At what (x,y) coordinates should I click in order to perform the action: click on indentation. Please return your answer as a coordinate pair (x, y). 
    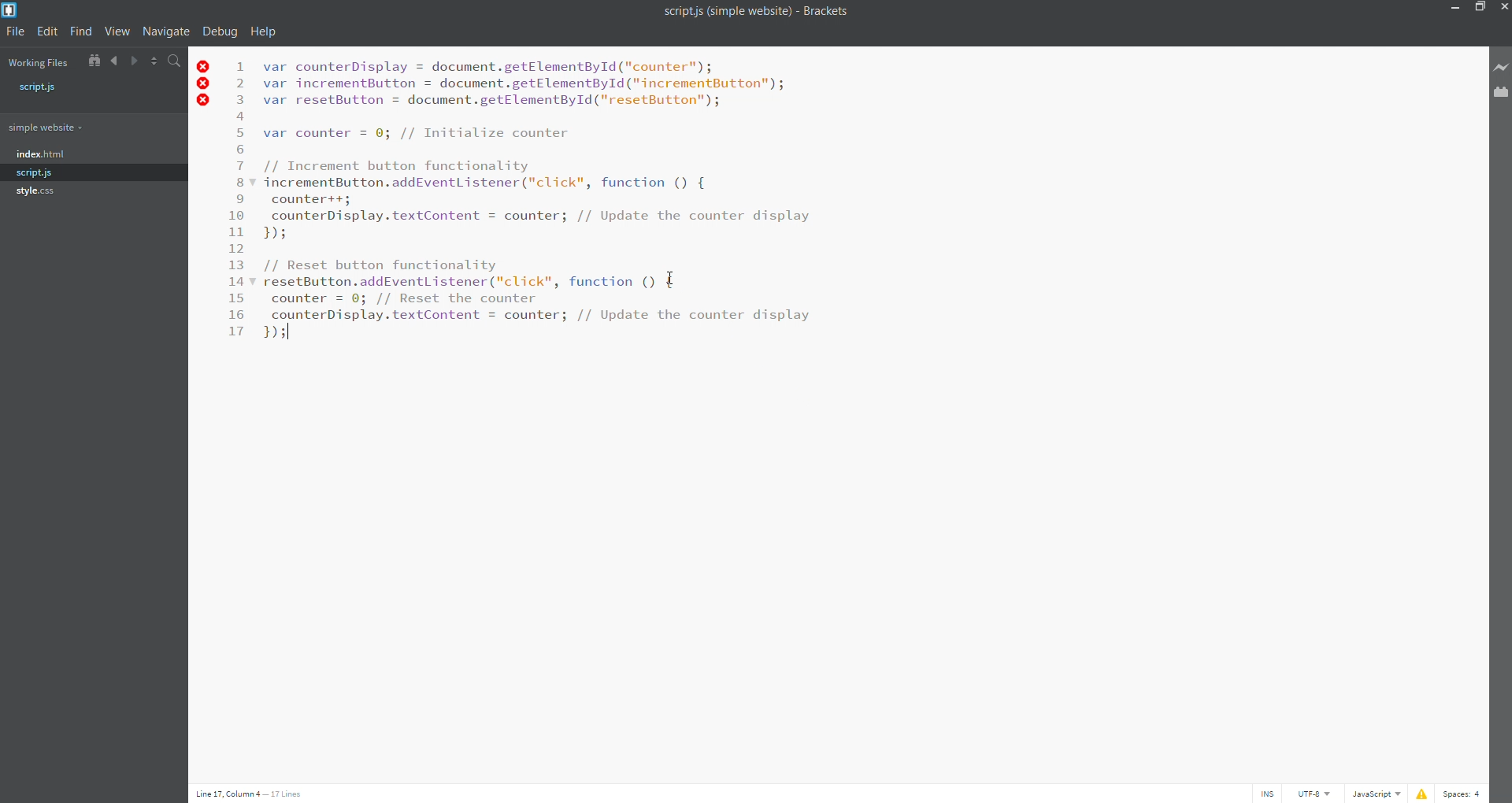
    Looking at the image, I should click on (1466, 793).